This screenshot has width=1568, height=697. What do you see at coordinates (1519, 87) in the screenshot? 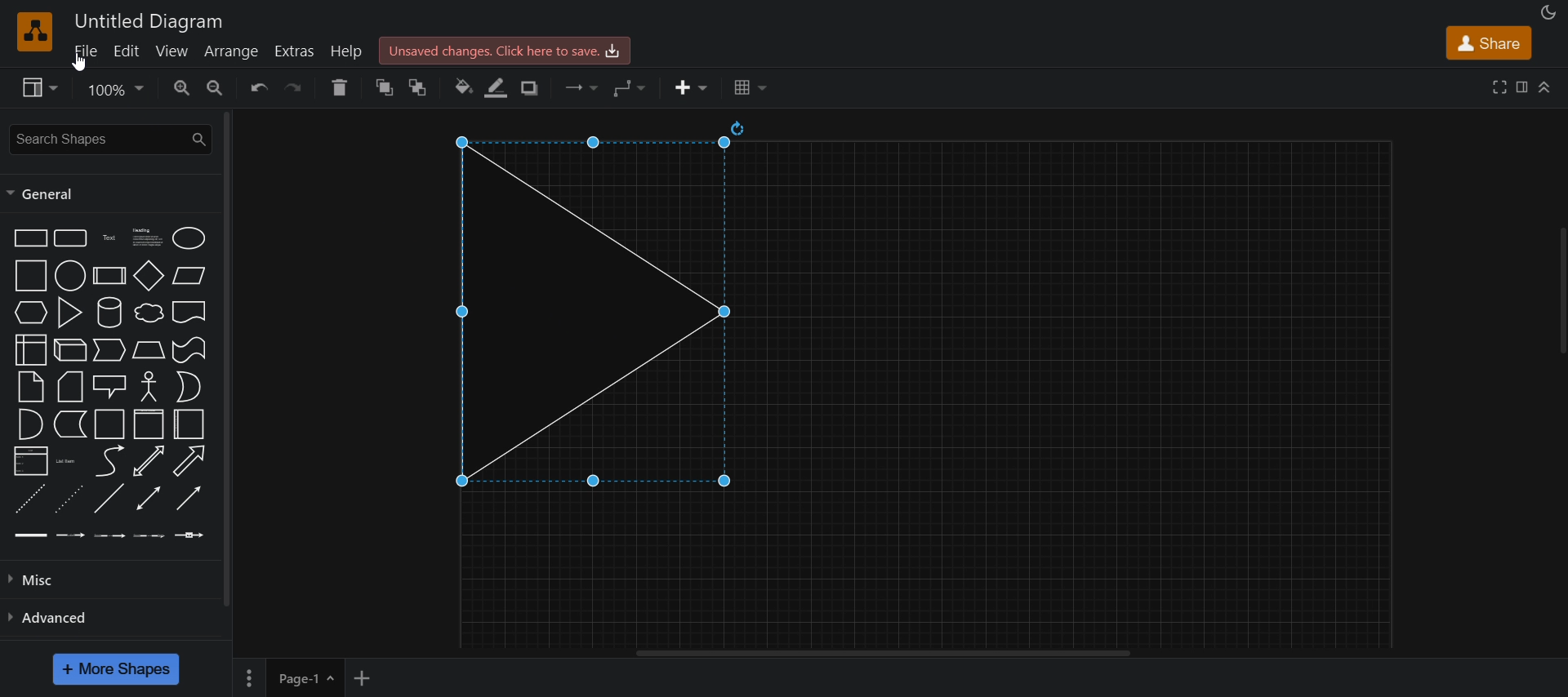
I see `format` at bounding box center [1519, 87].